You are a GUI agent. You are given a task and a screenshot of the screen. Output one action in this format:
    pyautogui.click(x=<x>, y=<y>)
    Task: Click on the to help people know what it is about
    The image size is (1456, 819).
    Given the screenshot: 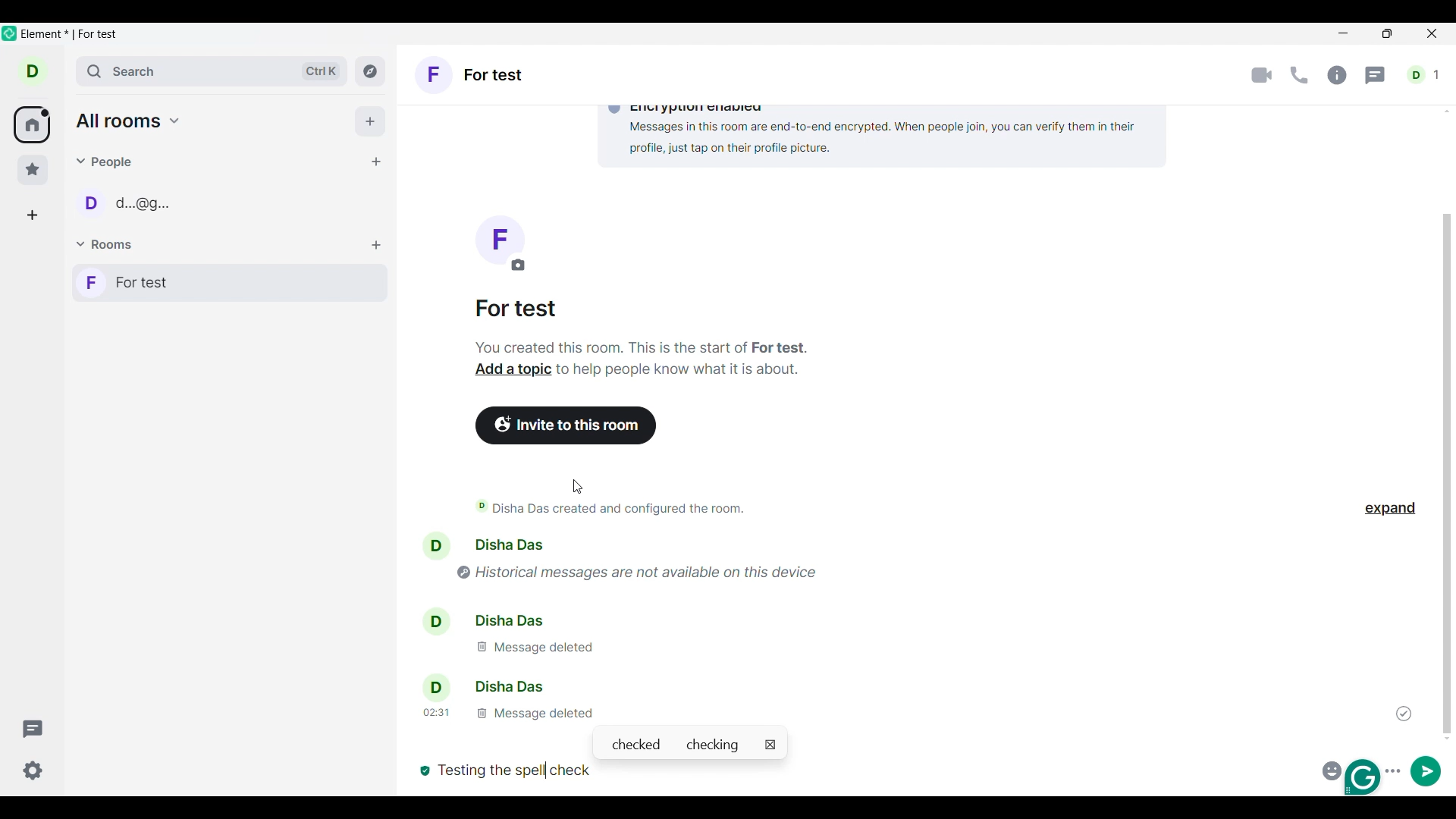 What is the action you would take?
    pyautogui.click(x=680, y=373)
    